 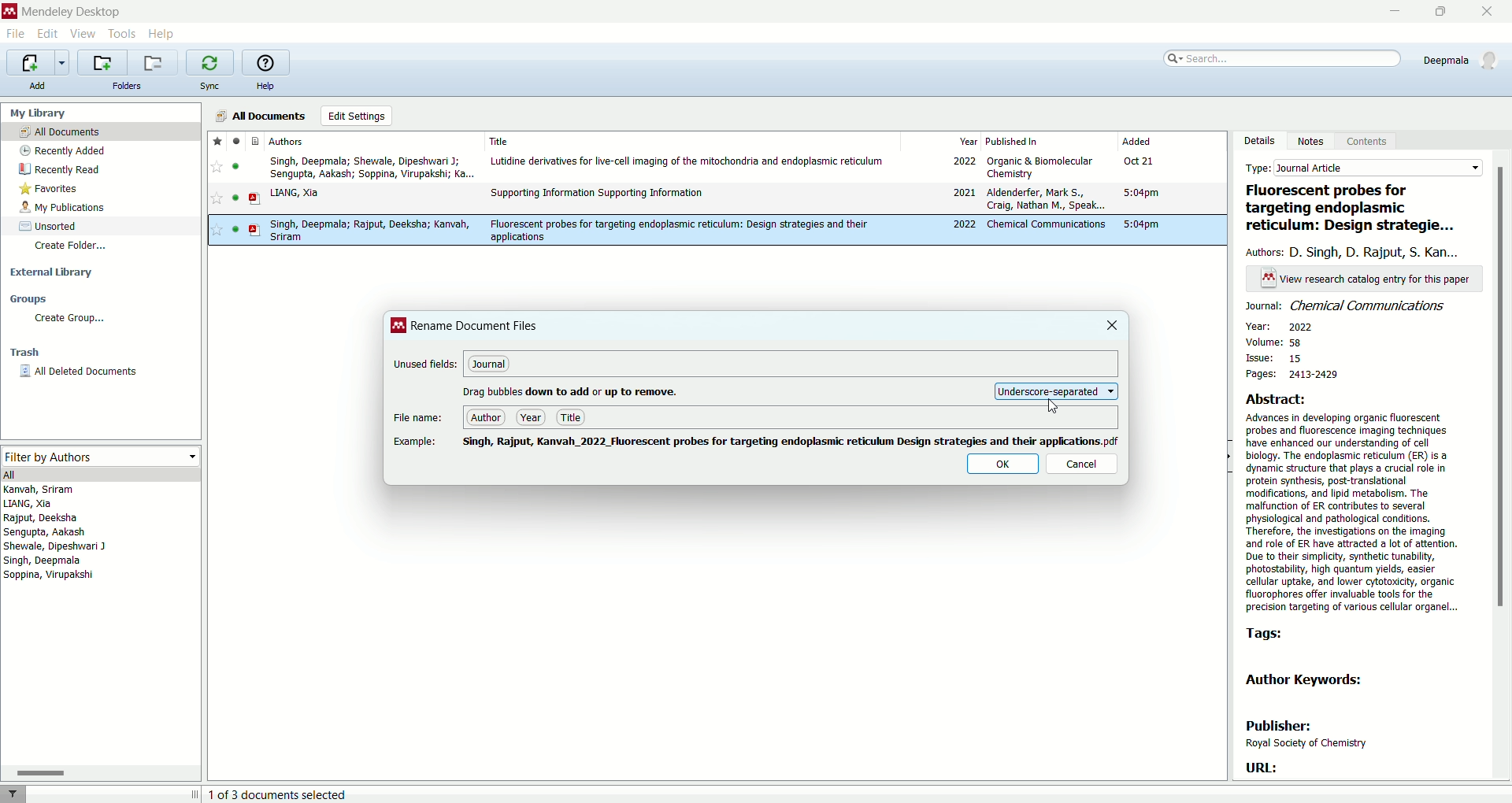 I want to click on year, so click(x=1279, y=326).